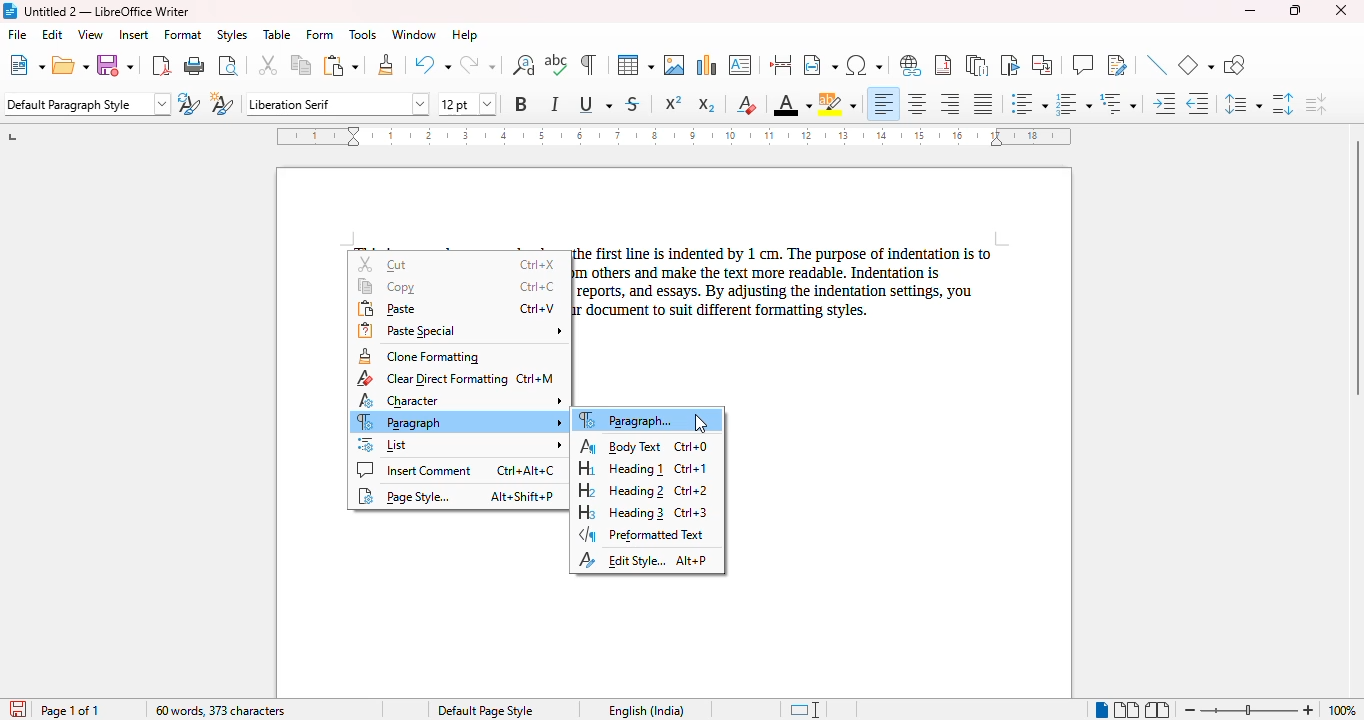 The image size is (1364, 720). Describe the element at coordinates (455, 496) in the screenshot. I see `page style` at that location.